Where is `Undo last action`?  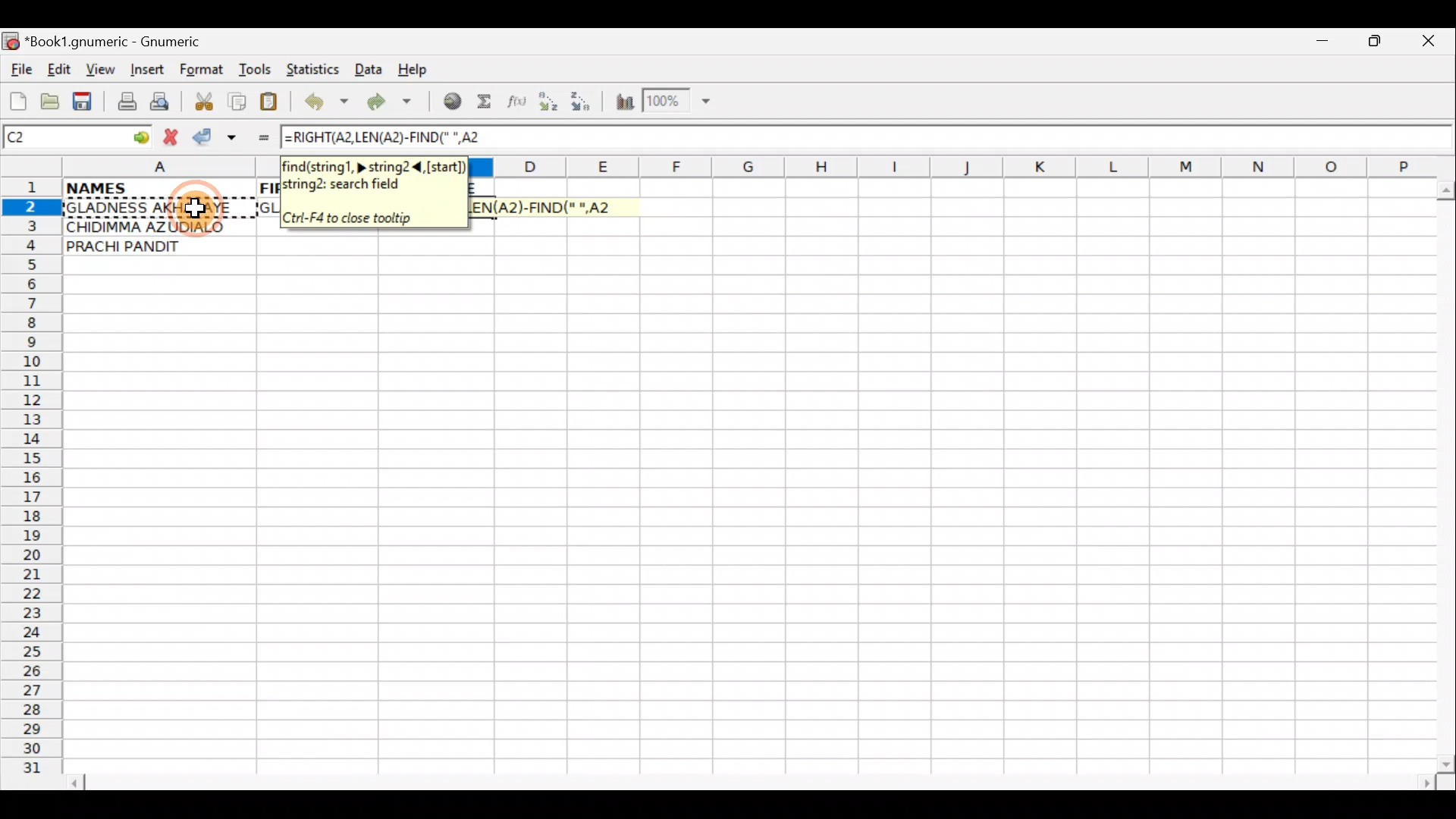 Undo last action is located at coordinates (328, 104).